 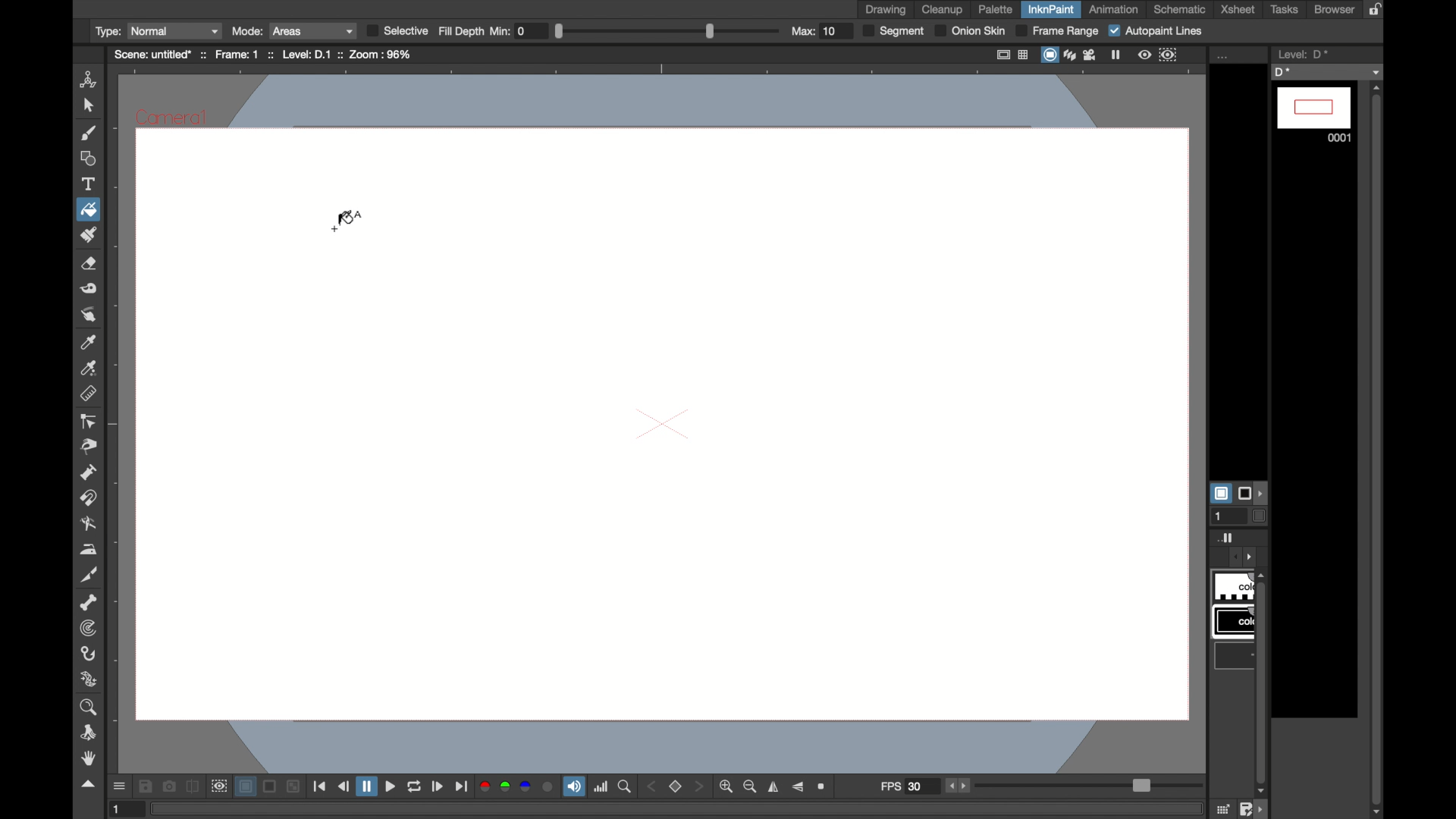 What do you see at coordinates (415, 786) in the screenshot?
I see `loop` at bounding box center [415, 786].